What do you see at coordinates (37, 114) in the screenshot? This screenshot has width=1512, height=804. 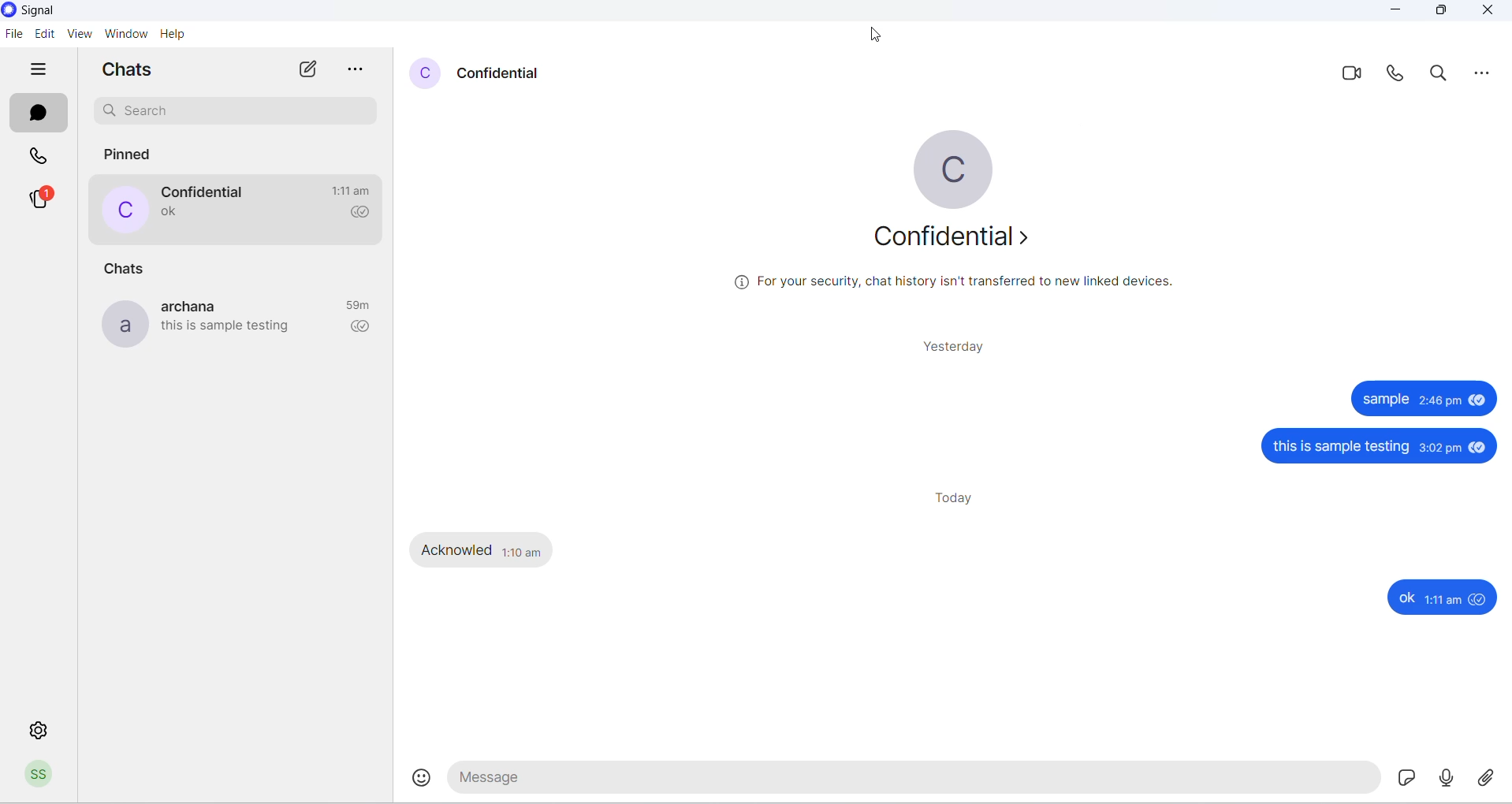 I see `messages` at bounding box center [37, 114].